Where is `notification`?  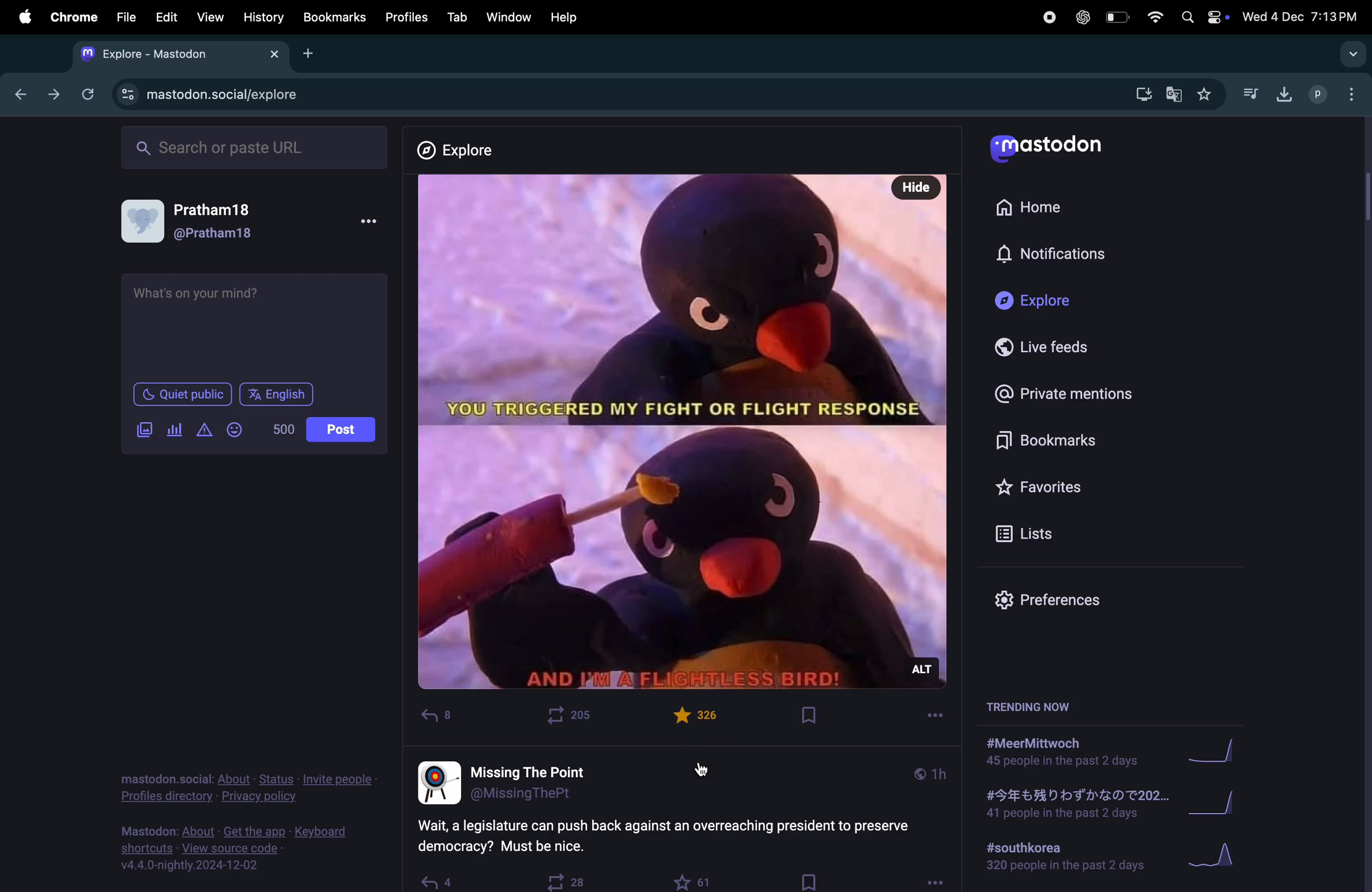 notification is located at coordinates (1058, 252).